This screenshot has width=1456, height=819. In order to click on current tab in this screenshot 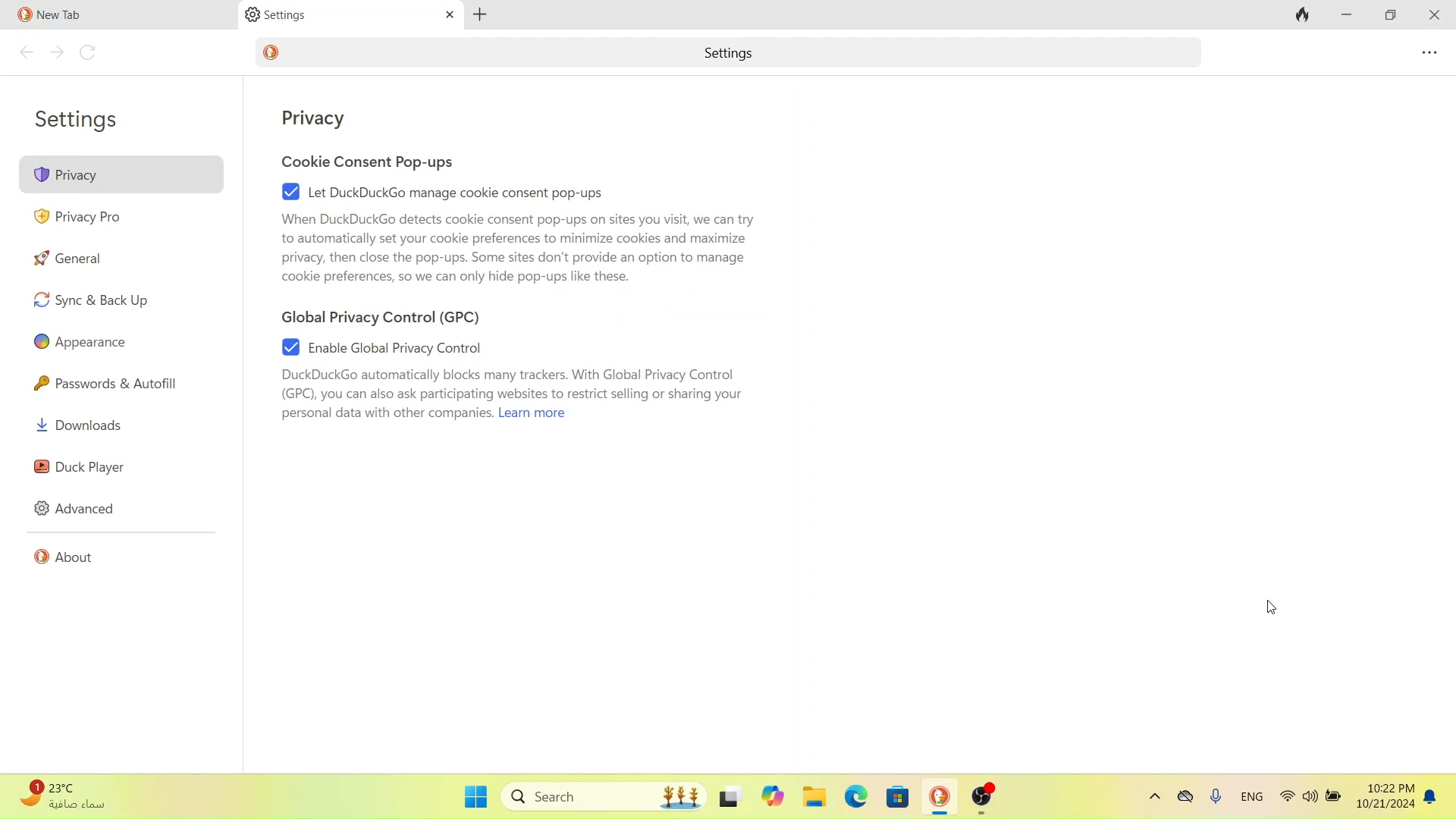, I will do `click(93, 15)`.